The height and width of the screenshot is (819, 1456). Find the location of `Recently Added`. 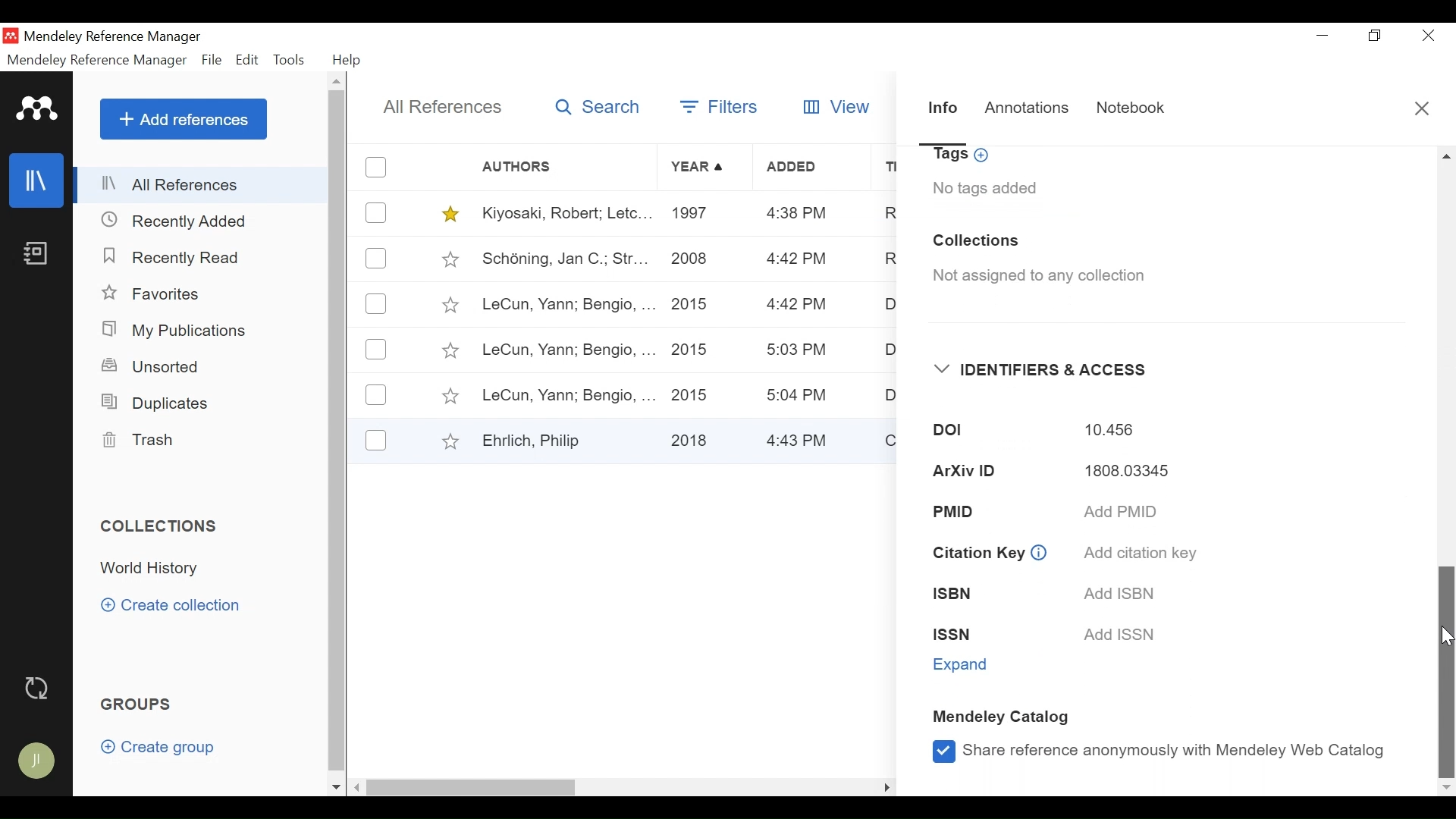

Recently Added is located at coordinates (183, 221).